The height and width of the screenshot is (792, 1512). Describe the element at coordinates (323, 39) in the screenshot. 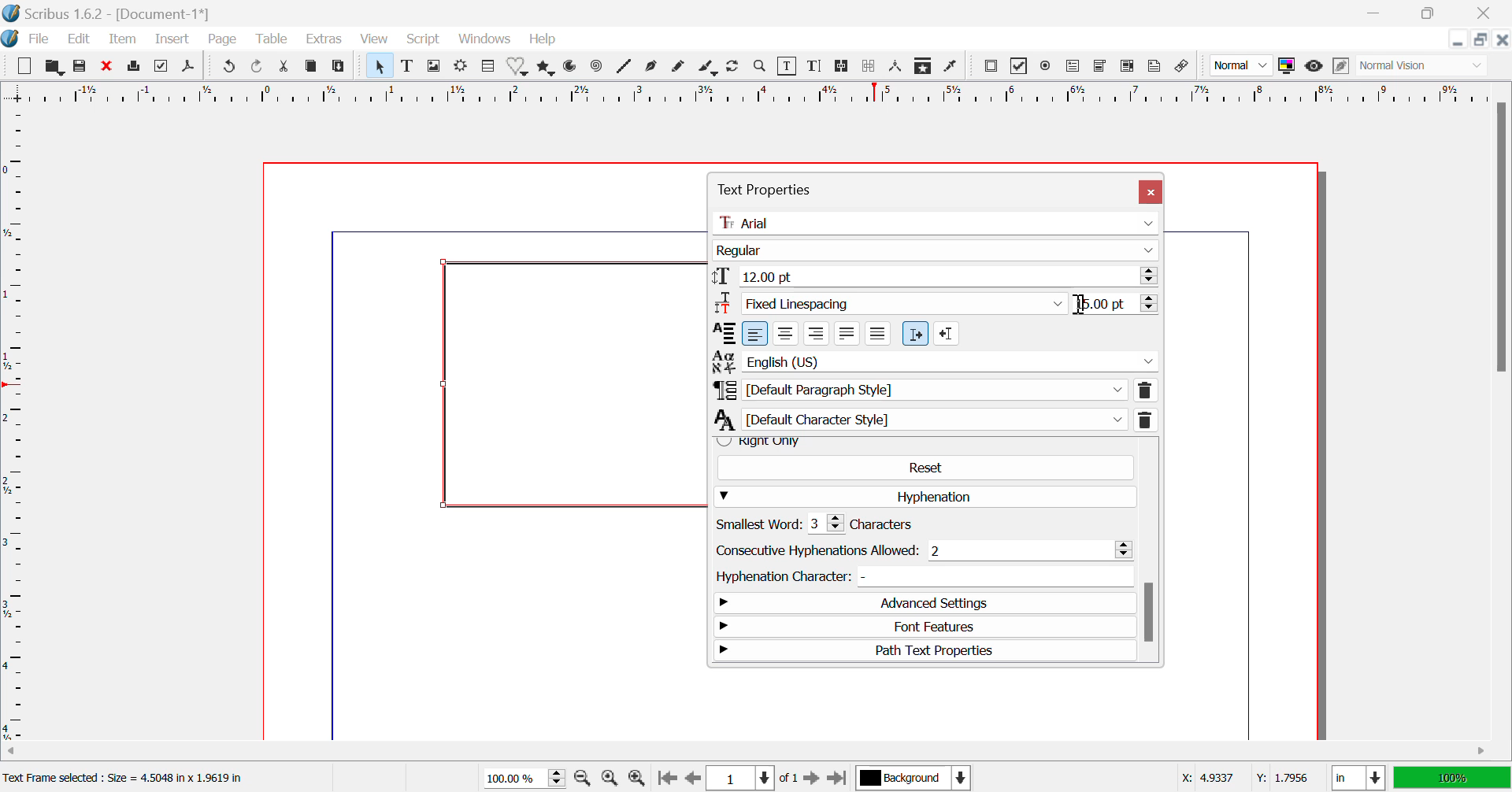

I see `Extras` at that location.